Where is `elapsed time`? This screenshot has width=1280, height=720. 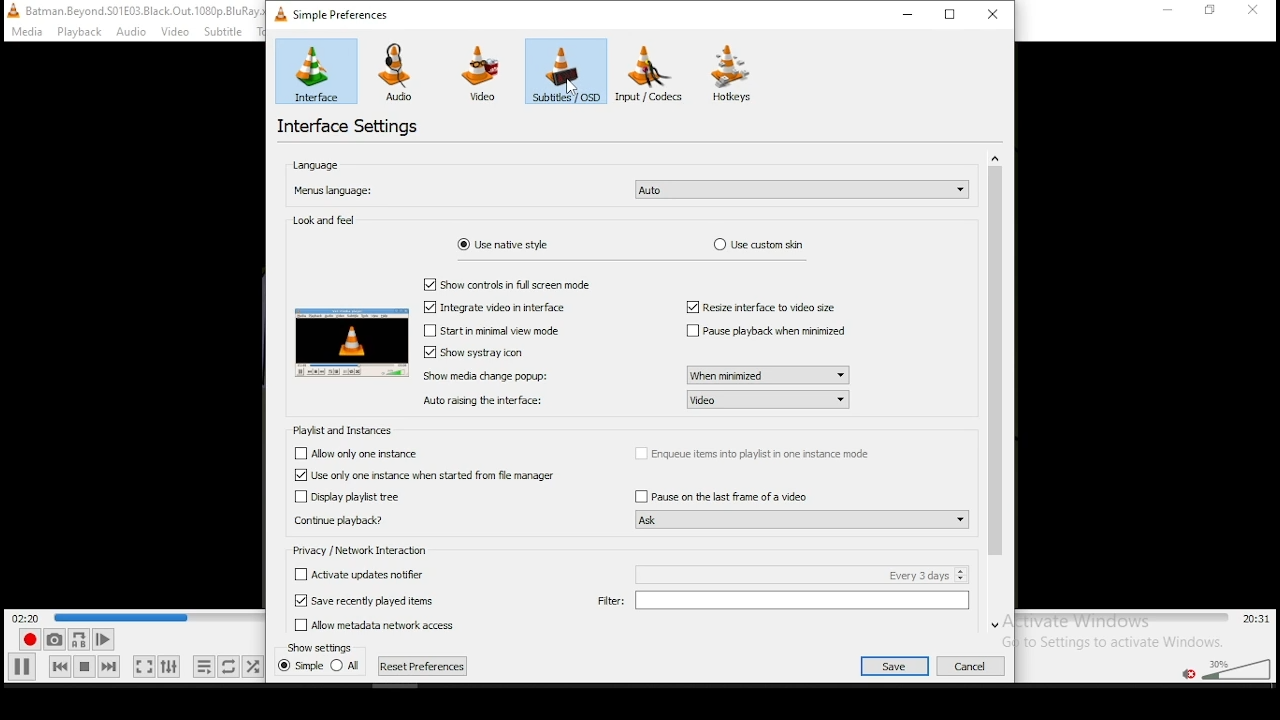 elapsed time is located at coordinates (27, 616).